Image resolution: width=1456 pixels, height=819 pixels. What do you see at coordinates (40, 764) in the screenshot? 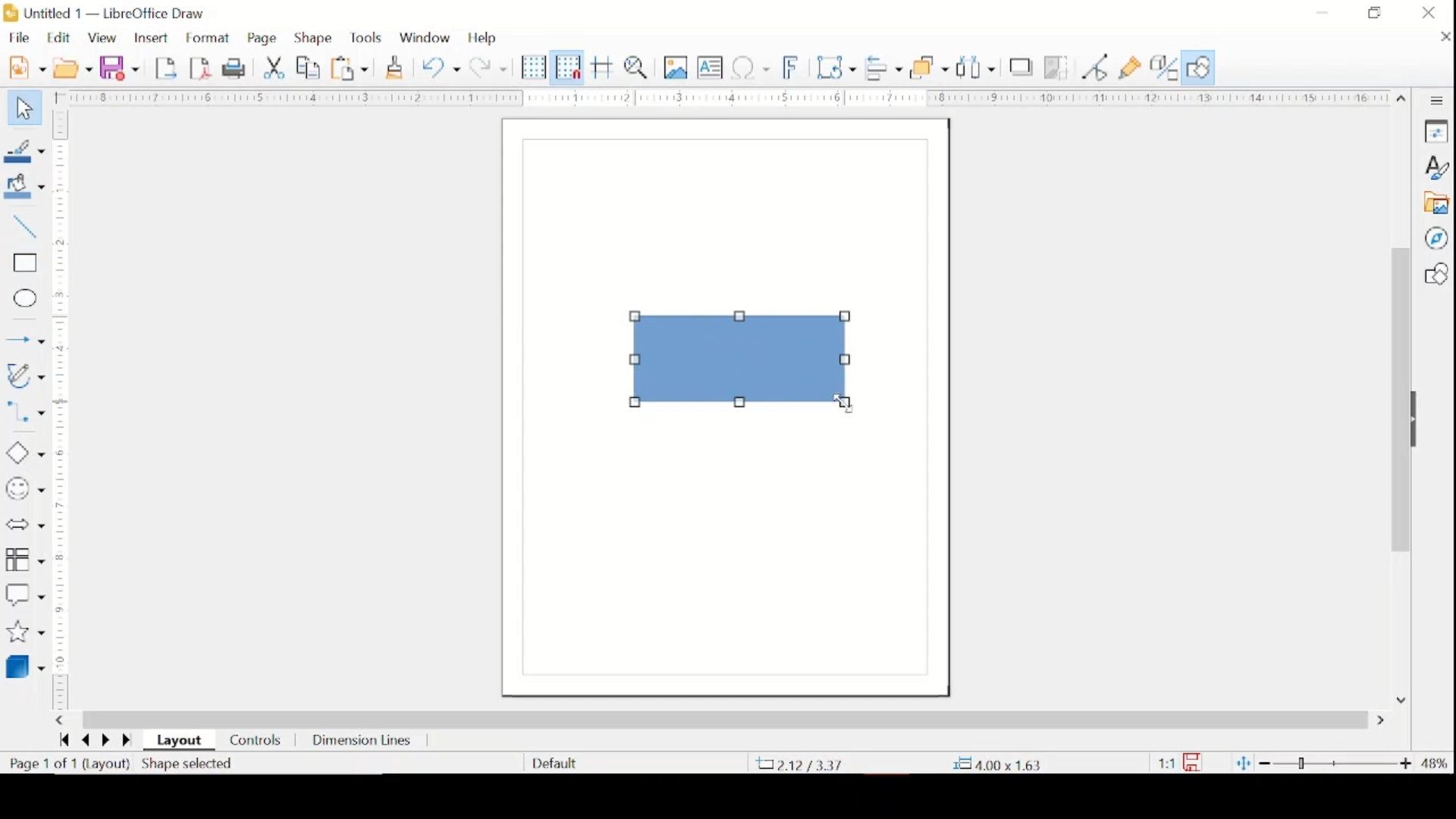
I see `page 1 of 1` at bounding box center [40, 764].